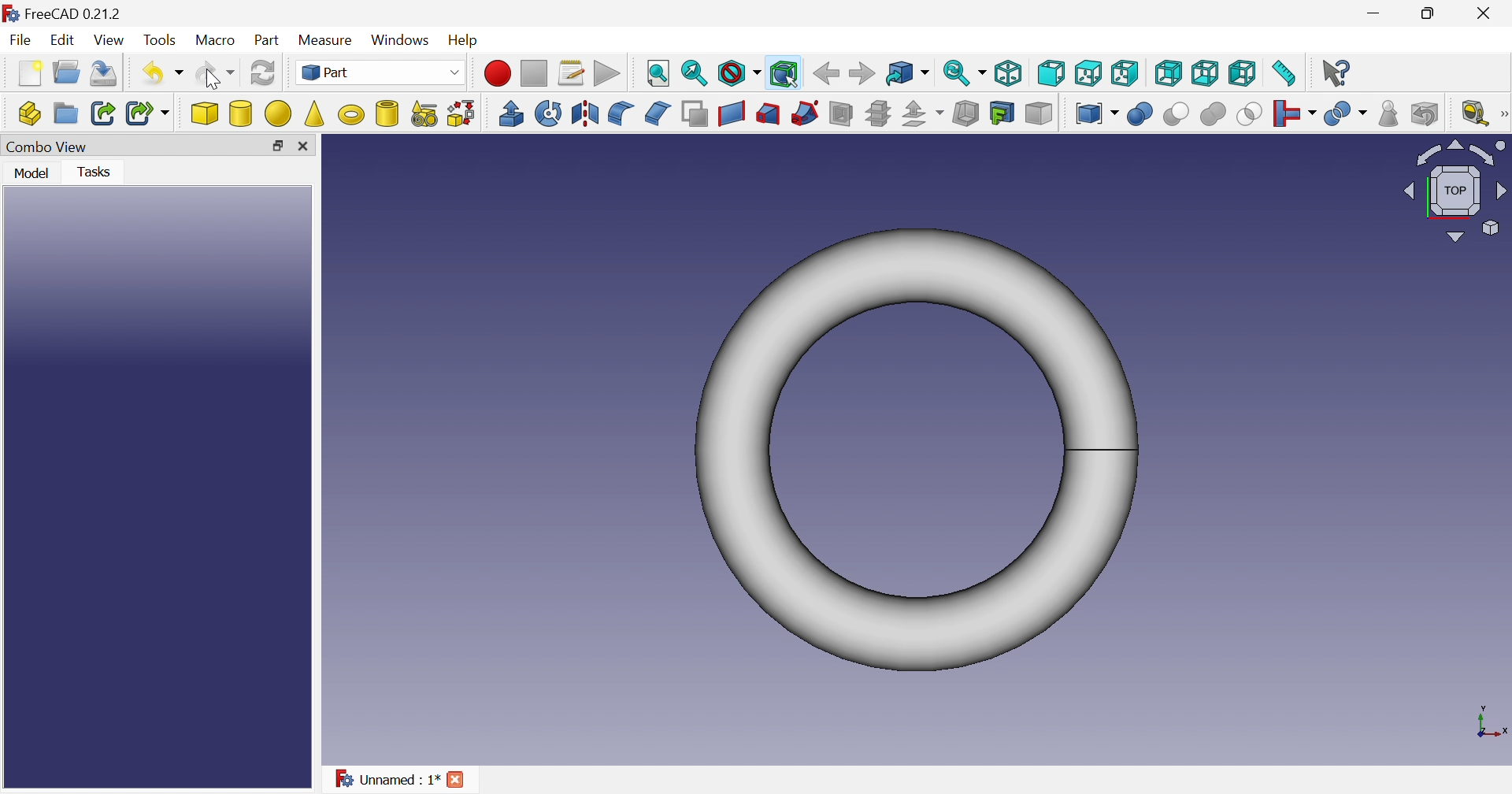 The image size is (1512, 794). Describe the element at coordinates (1427, 16) in the screenshot. I see `Minimize` at that location.